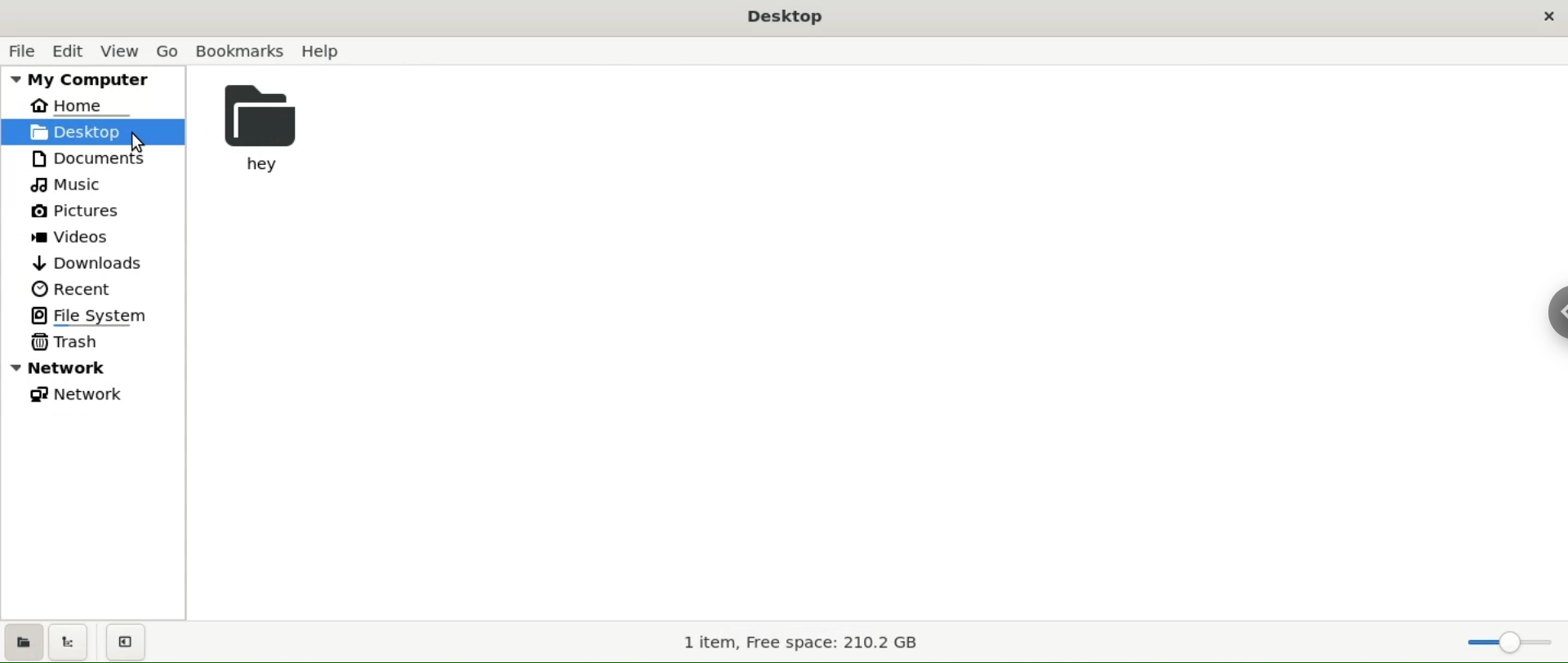 Image resolution: width=1568 pixels, height=663 pixels. What do you see at coordinates (136, 140) in the screenshot?
I see `cursor` at bounding box center [136, 140].